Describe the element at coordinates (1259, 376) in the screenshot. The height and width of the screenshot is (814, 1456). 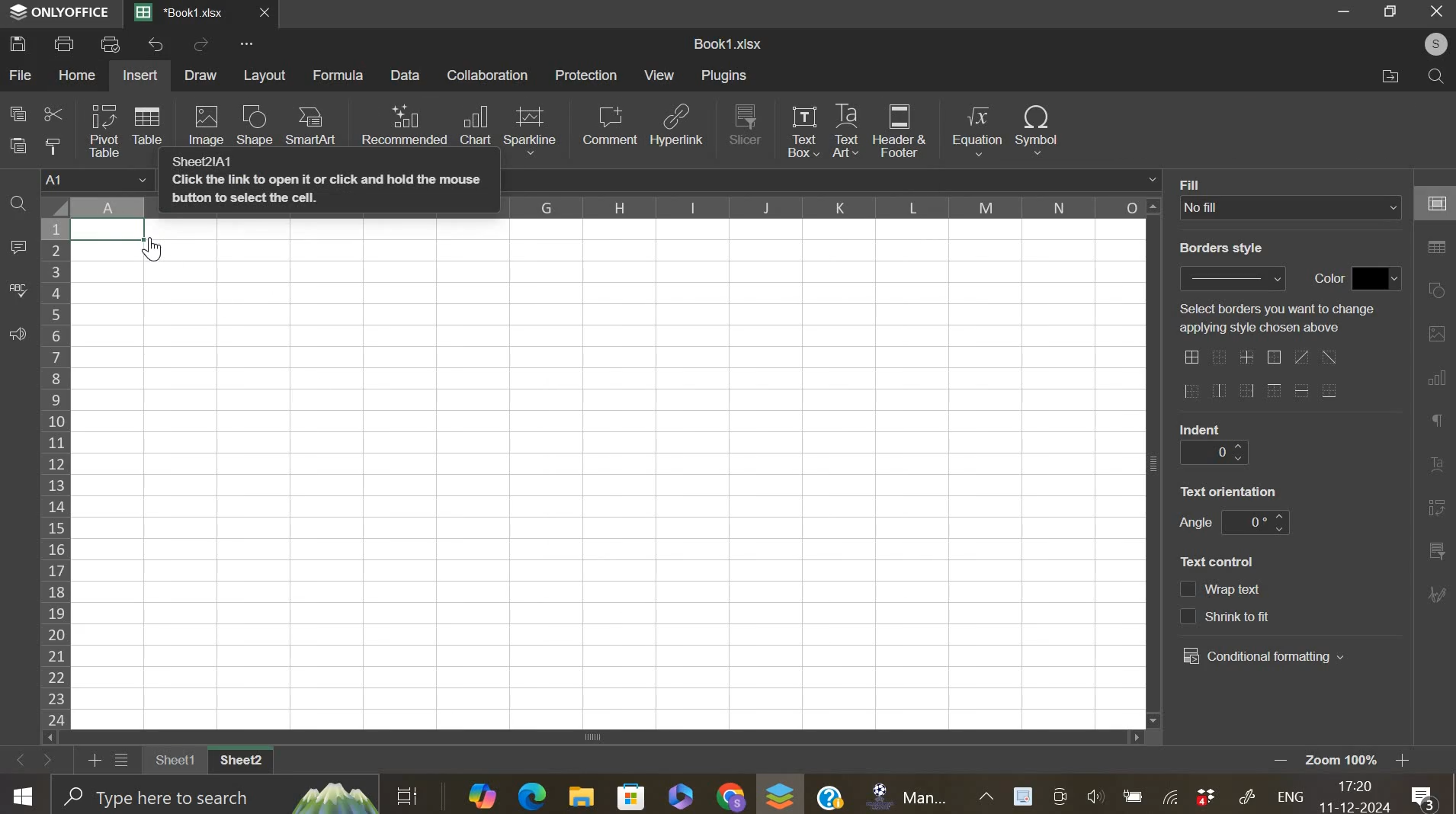
I see `border` at that location.